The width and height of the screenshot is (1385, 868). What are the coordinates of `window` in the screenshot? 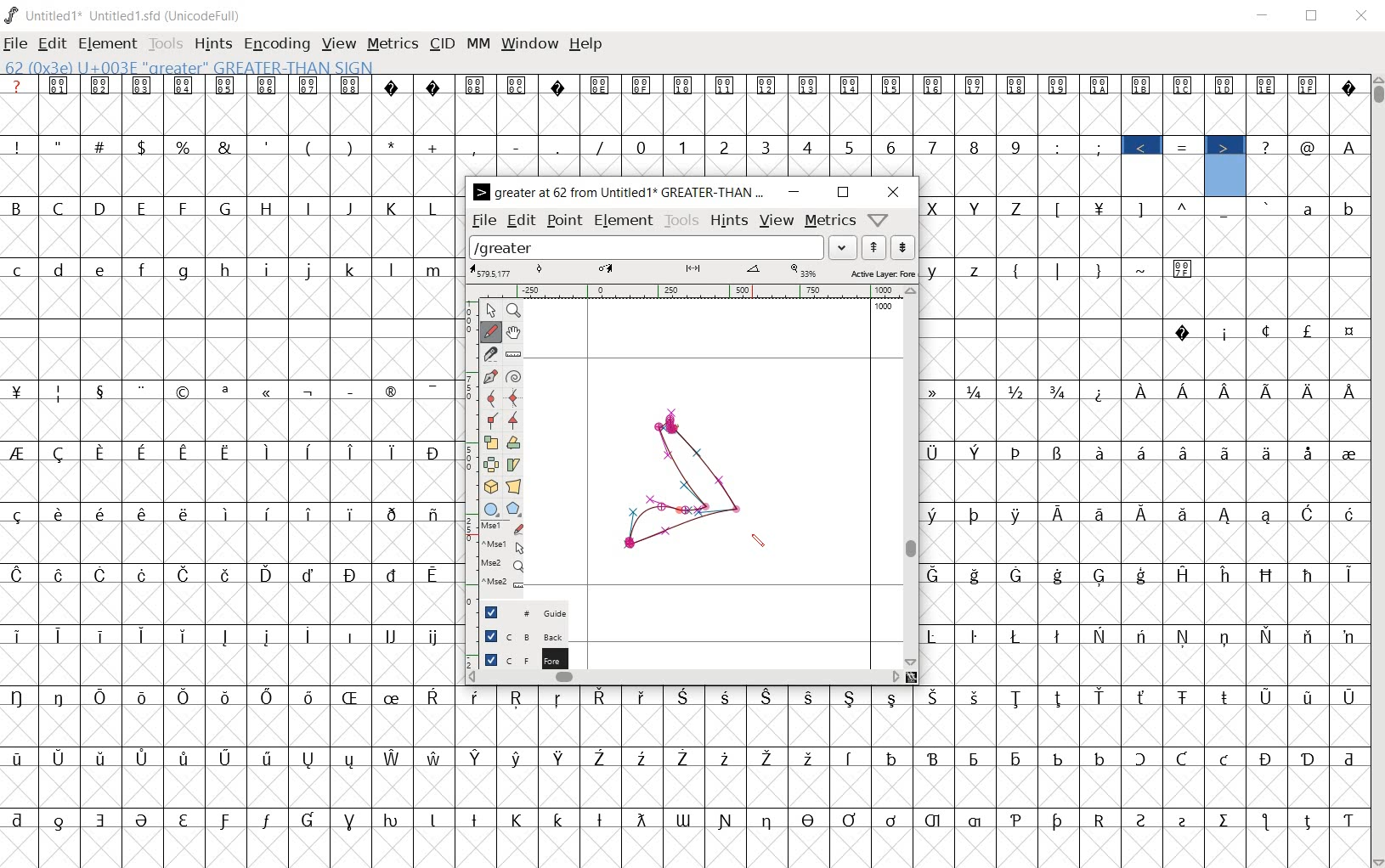 It's located at (529, 45).